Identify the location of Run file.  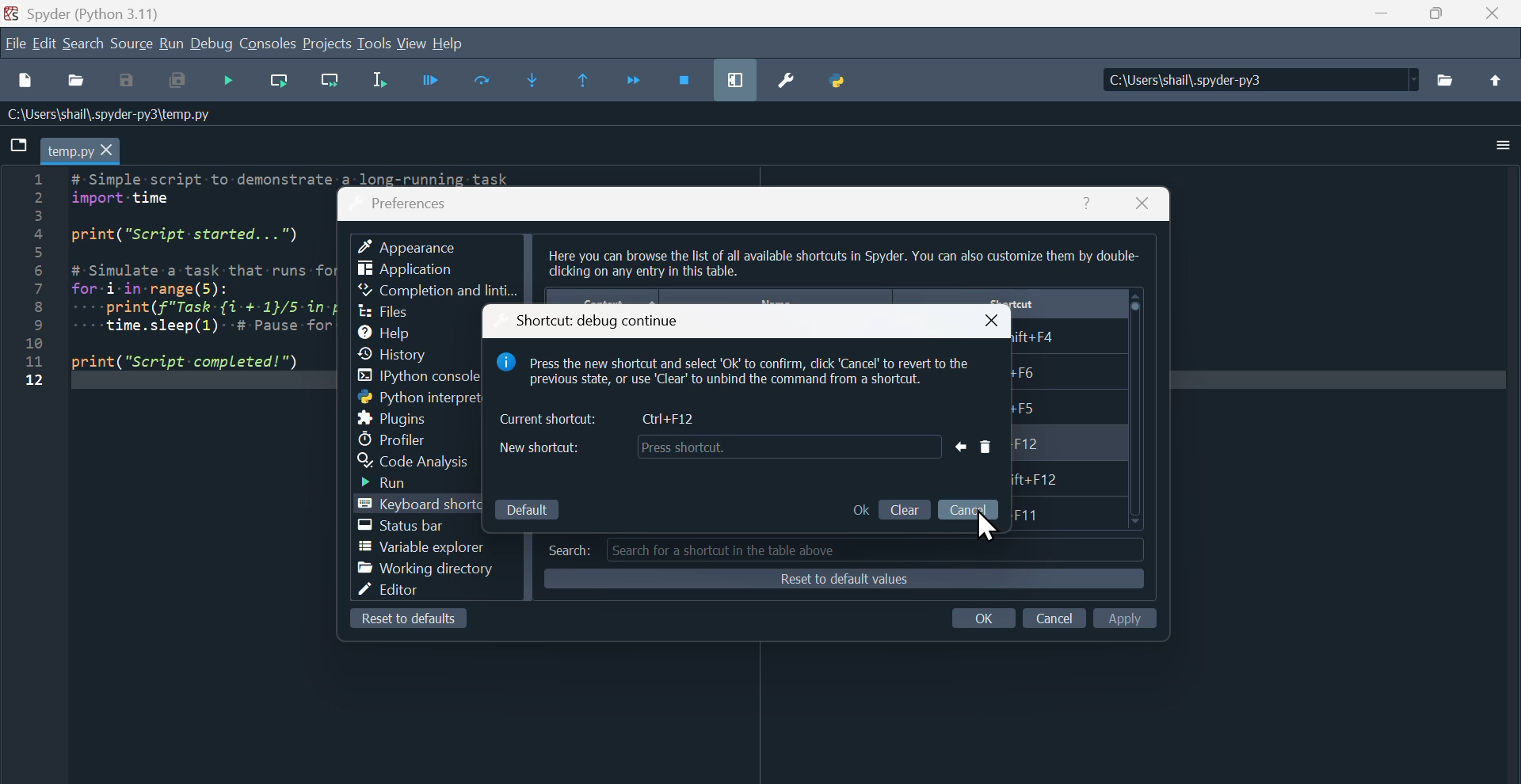
(432, 83).